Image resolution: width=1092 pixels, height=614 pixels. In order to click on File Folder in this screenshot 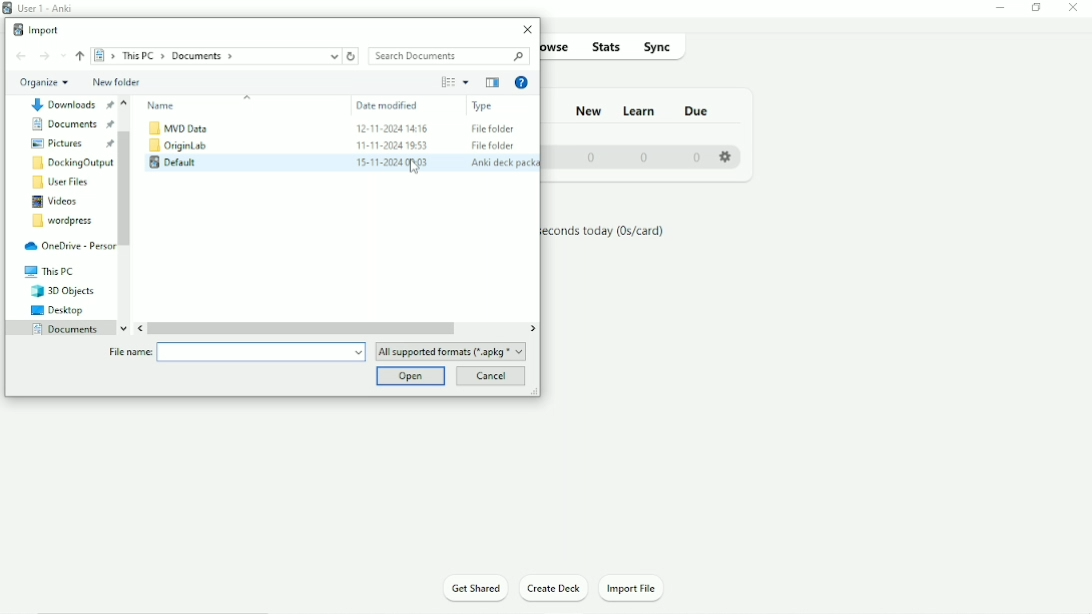, I will do `click(492, 128)`.